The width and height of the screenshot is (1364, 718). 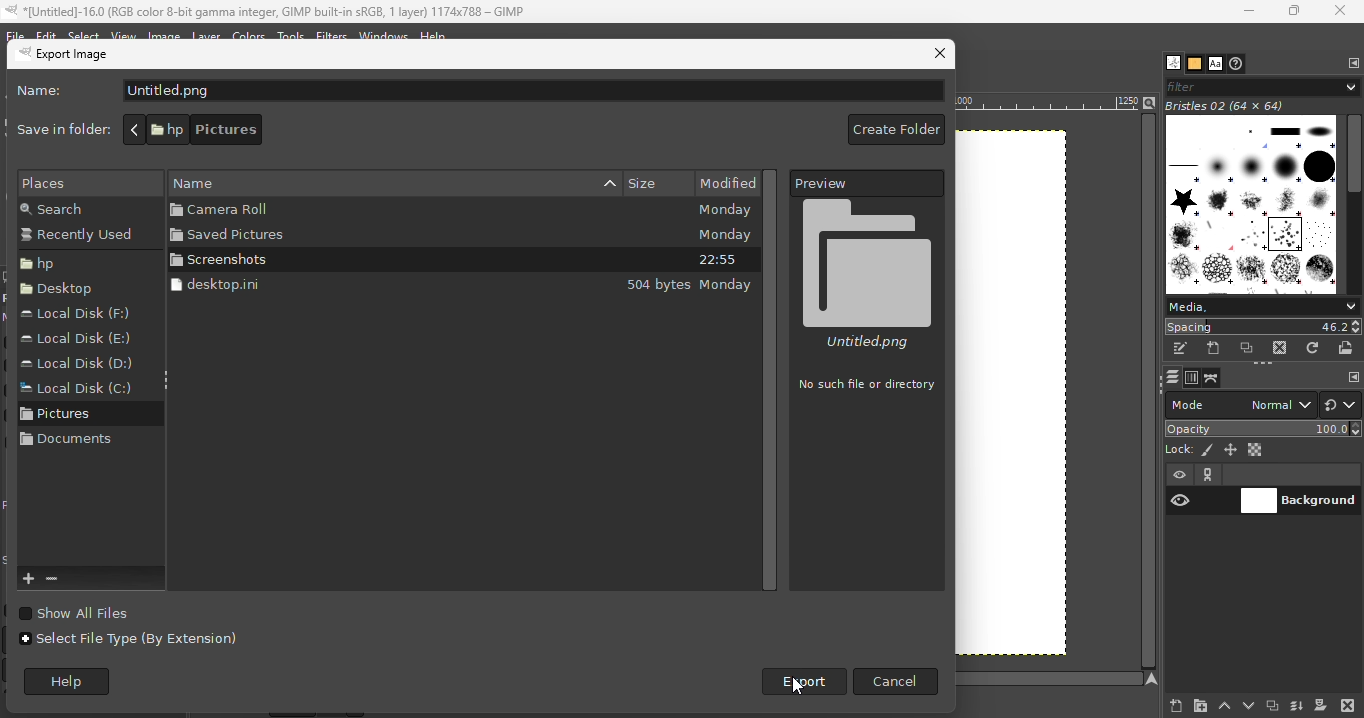 What do you see at coordinates (81, 182) in the screenshot?
I see `Pixels` at bounding box center [81, 182].